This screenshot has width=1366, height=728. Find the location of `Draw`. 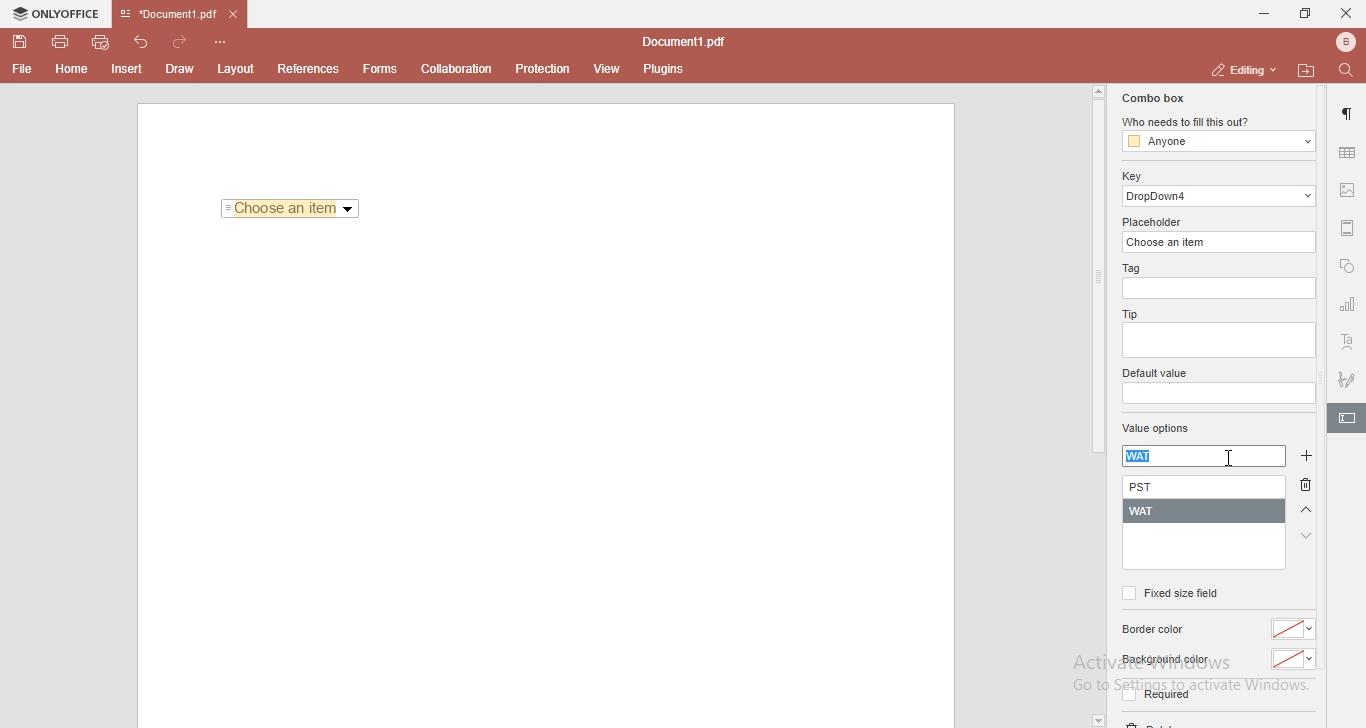

Draw is located at coordinates (184, 68).